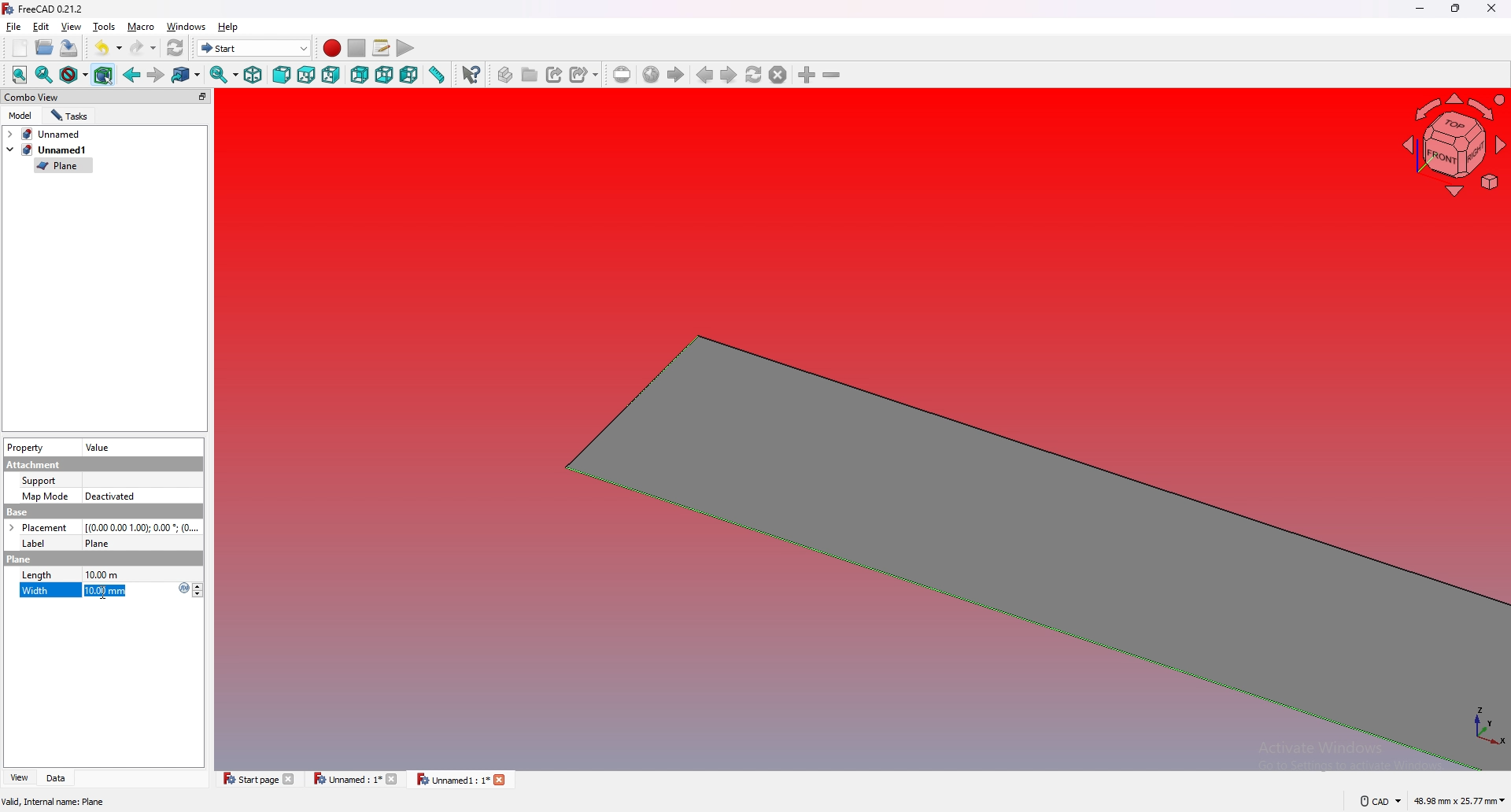 The height and width of the screenshot is (812, 1511). I want to click on record macros, so click(332, 49).